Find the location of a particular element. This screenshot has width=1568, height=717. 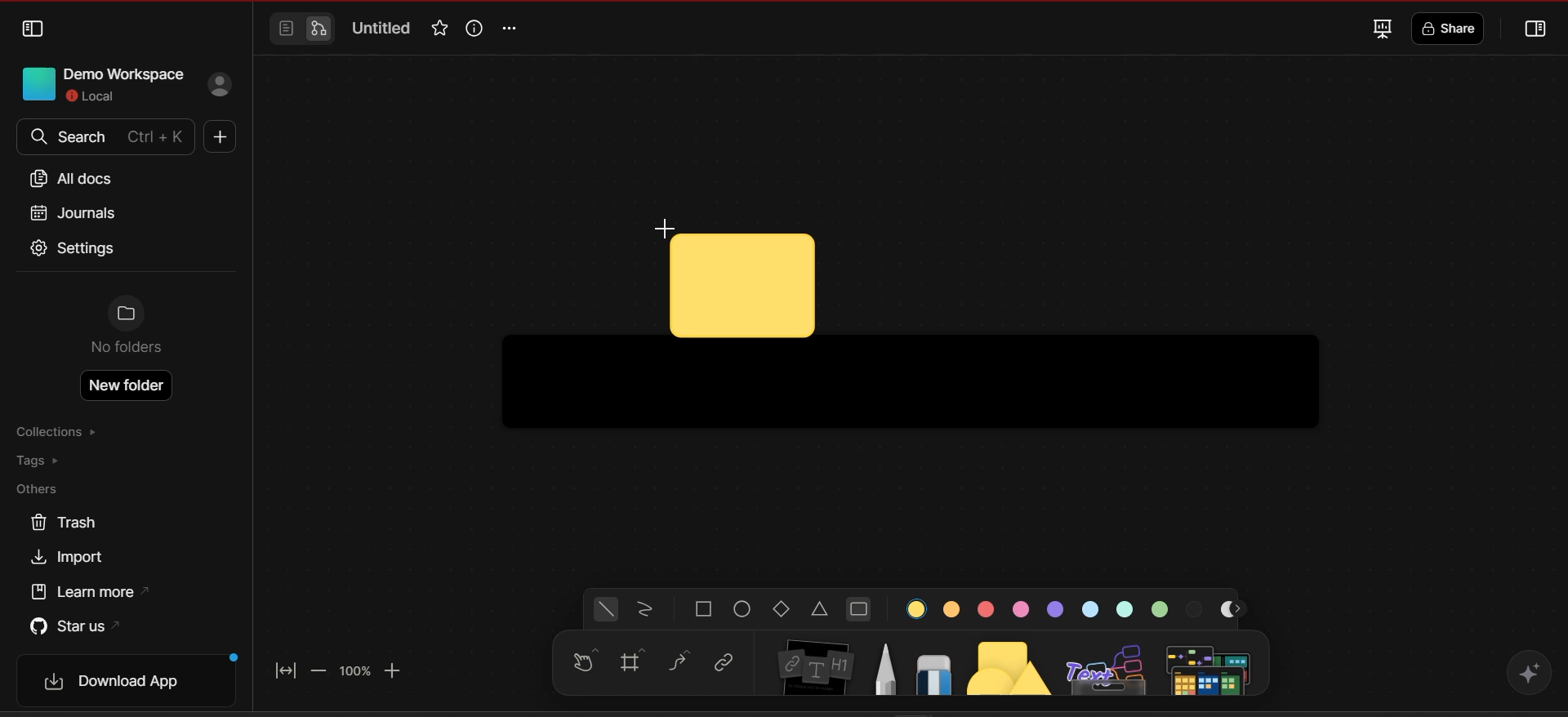

tags is located at coordinates (50, 461).